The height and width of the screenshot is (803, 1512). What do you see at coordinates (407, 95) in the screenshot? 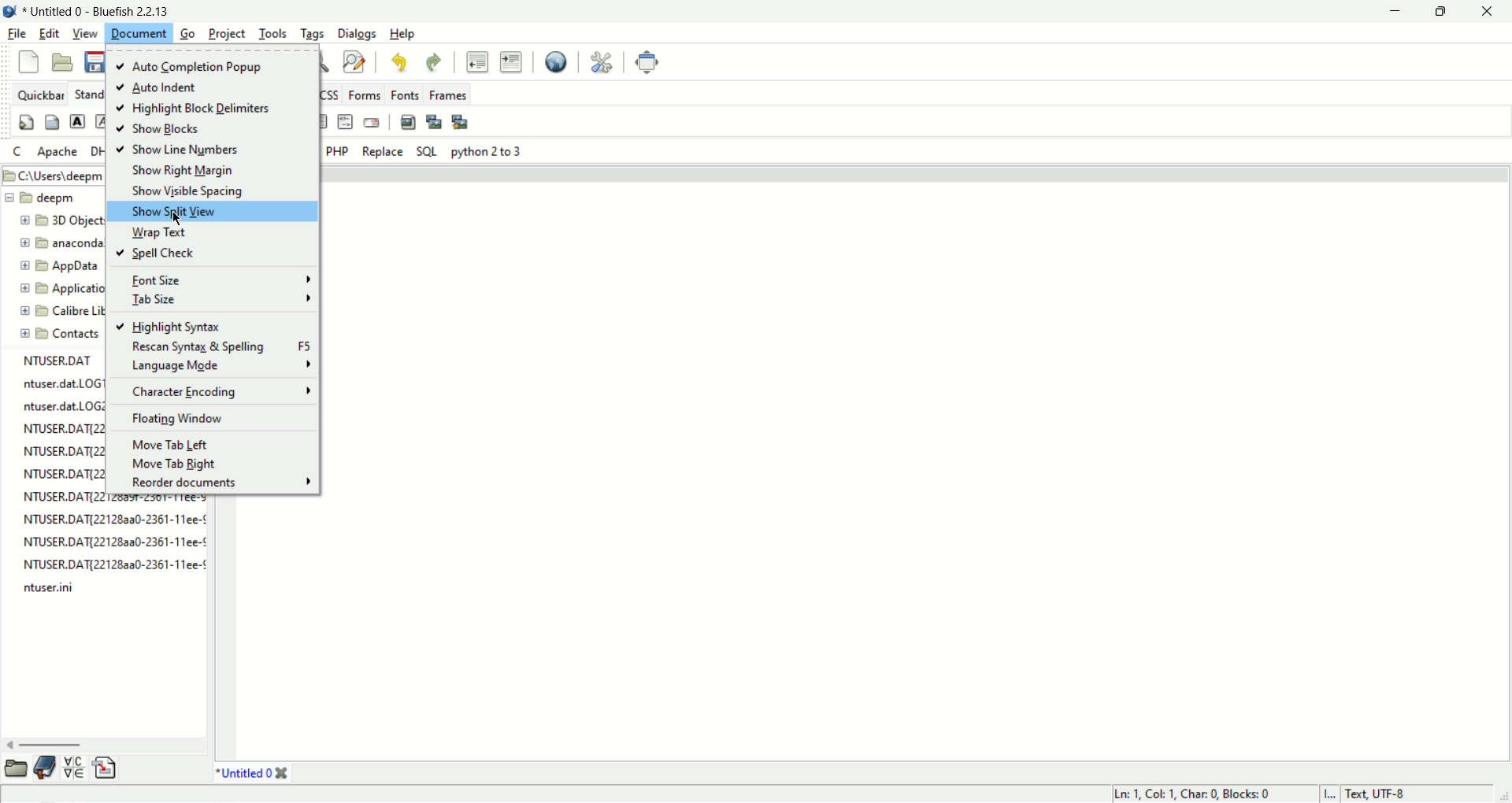
I see `fonts` at bounding box center [407, 95].